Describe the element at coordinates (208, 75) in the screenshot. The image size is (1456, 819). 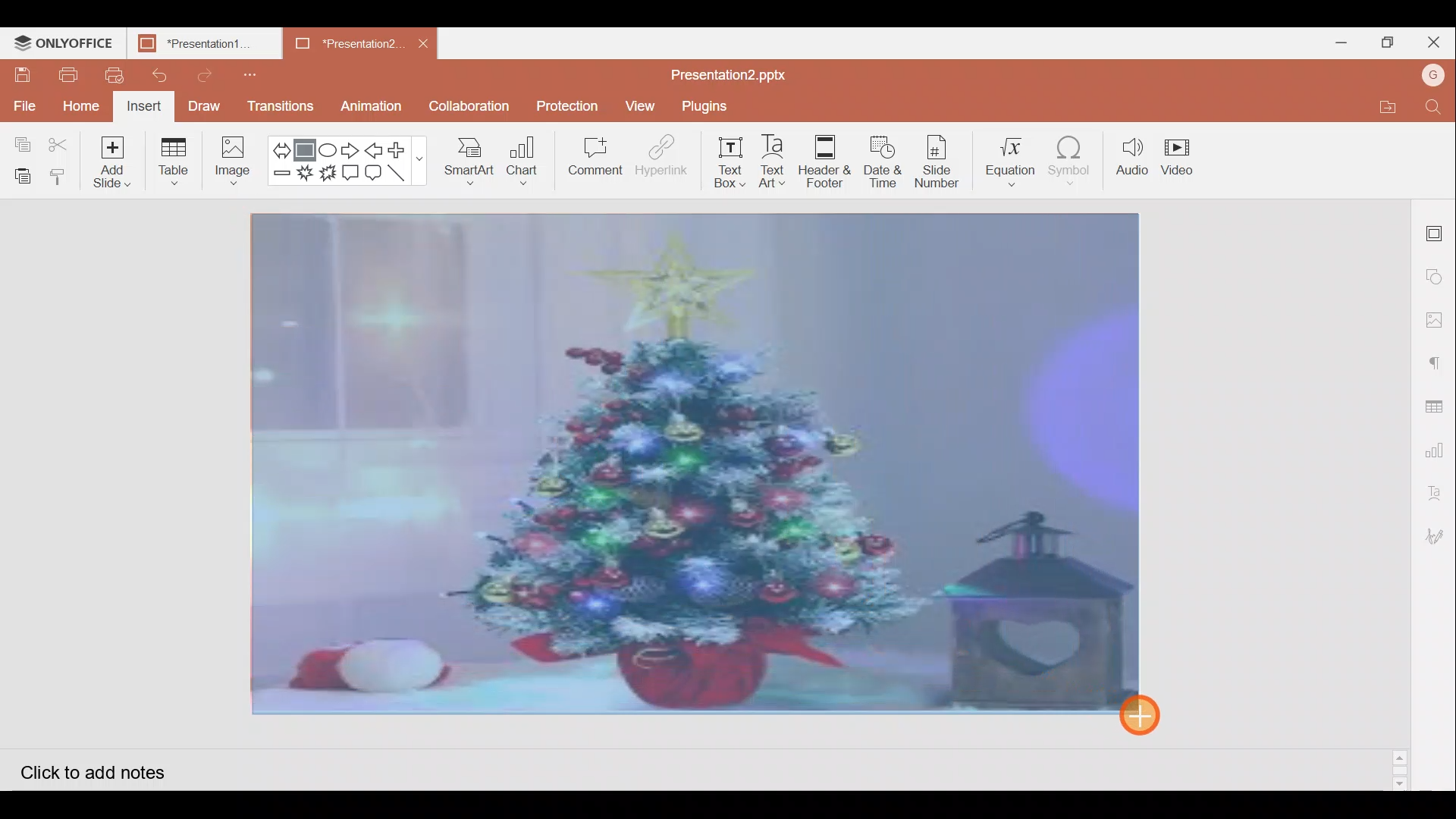
I see `Redo` at that location.